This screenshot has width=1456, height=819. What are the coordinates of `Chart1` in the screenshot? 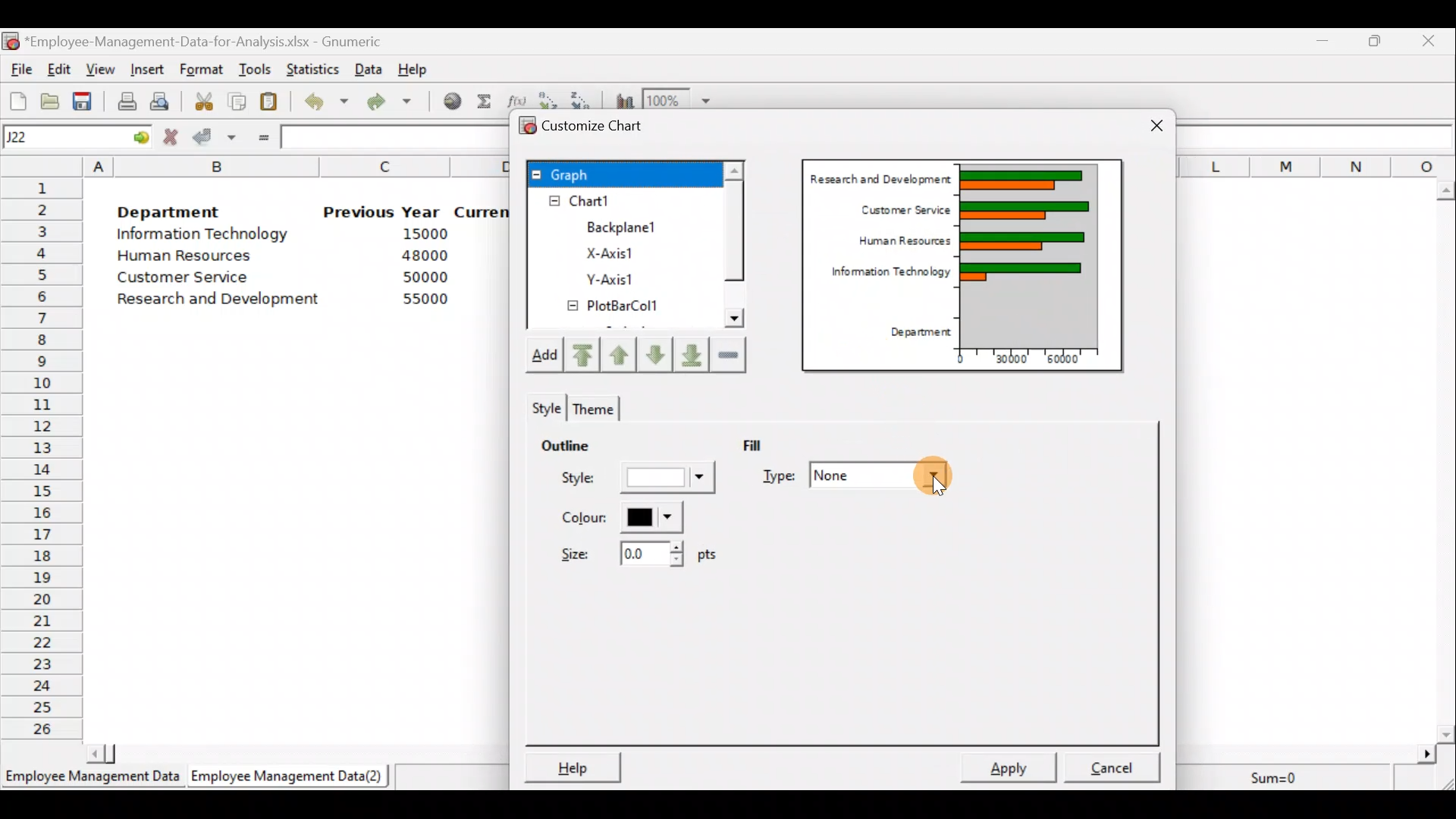 It's located at (604, 201).